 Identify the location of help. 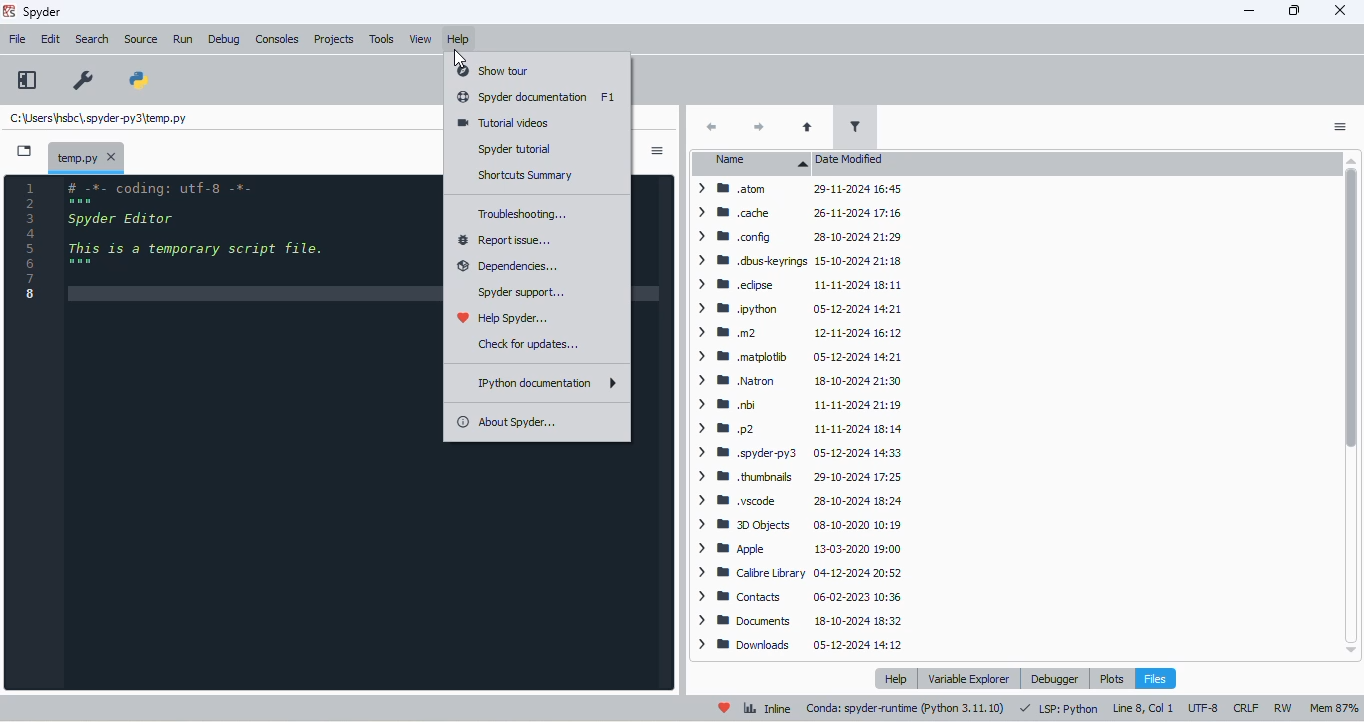
(459, 40).